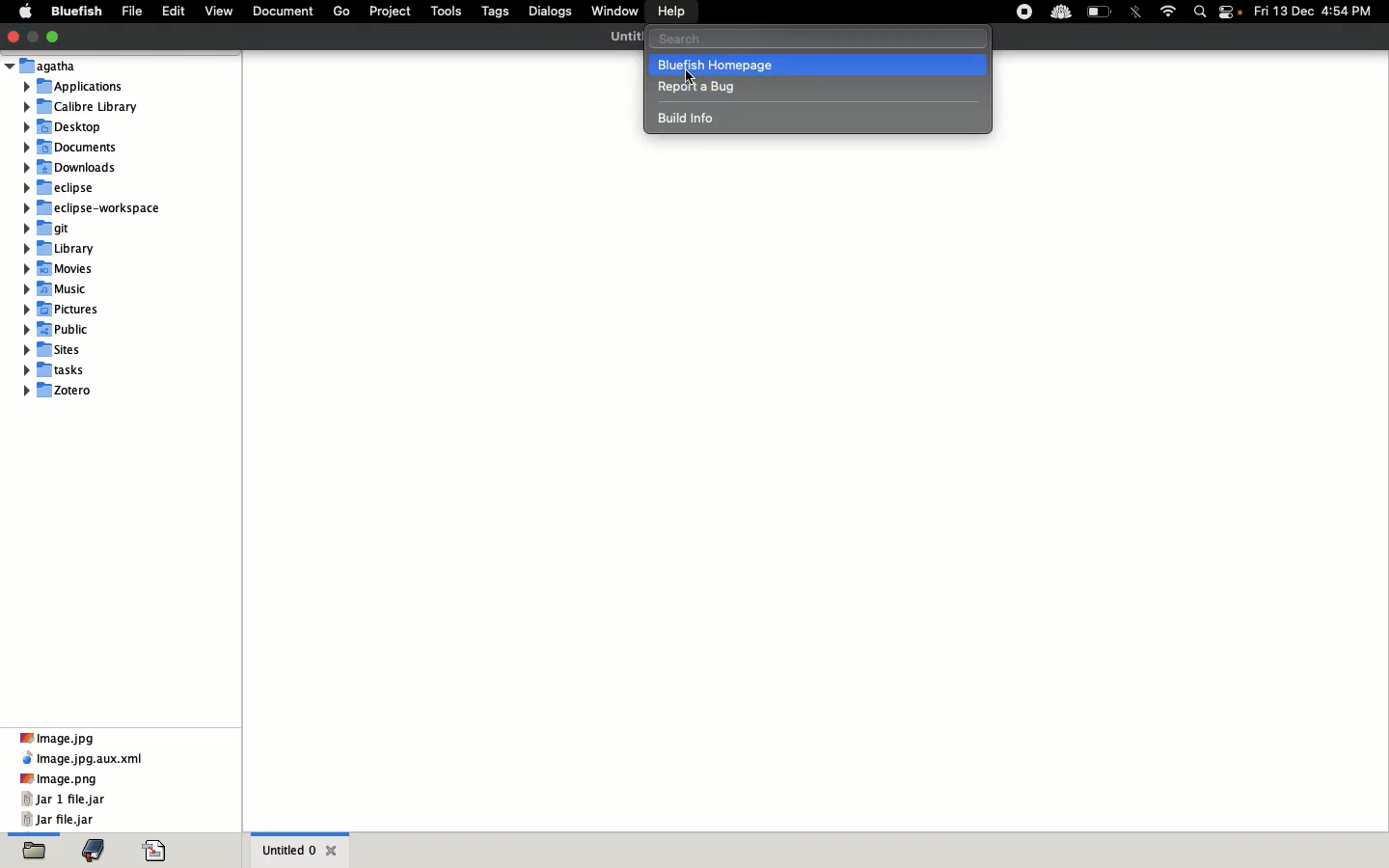  What do you see at coordinates (82, 392) in the screenshot?
I see `zotero` at bounding box center [82, 392].